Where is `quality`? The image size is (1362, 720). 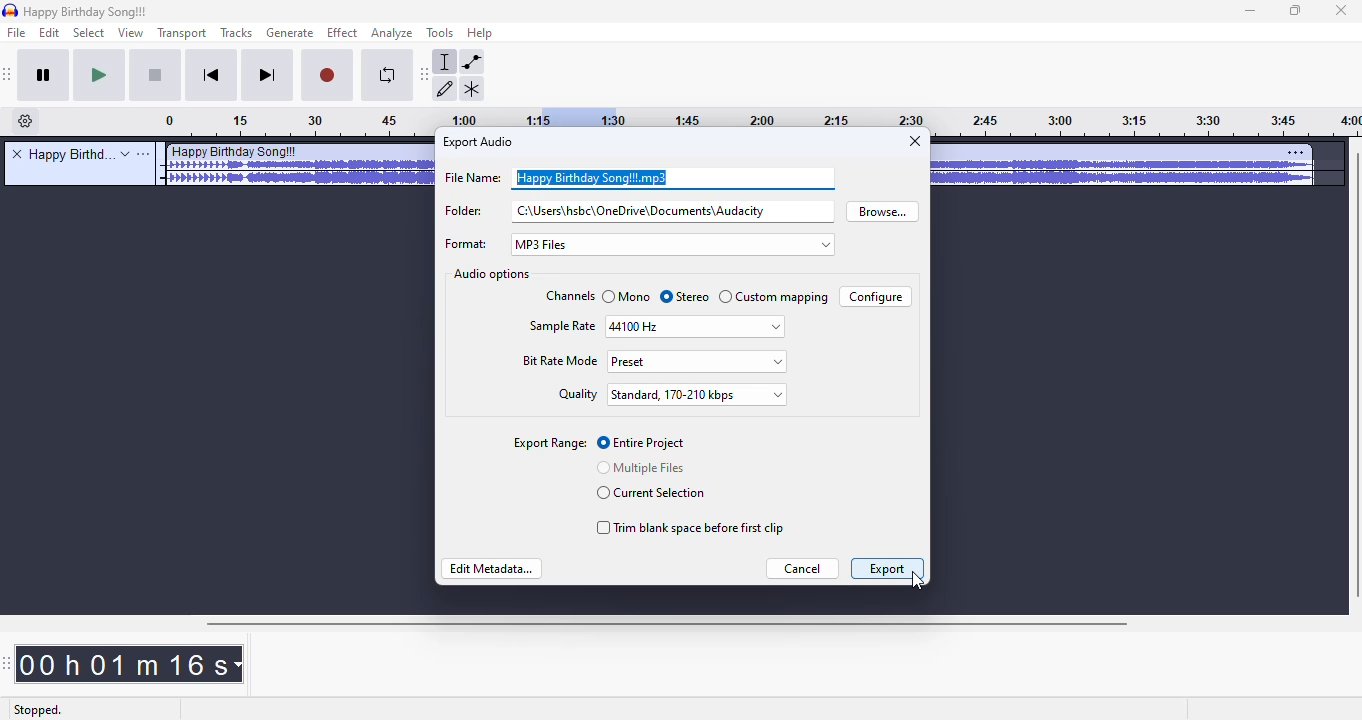 quality is located at coordinates (576, 394).